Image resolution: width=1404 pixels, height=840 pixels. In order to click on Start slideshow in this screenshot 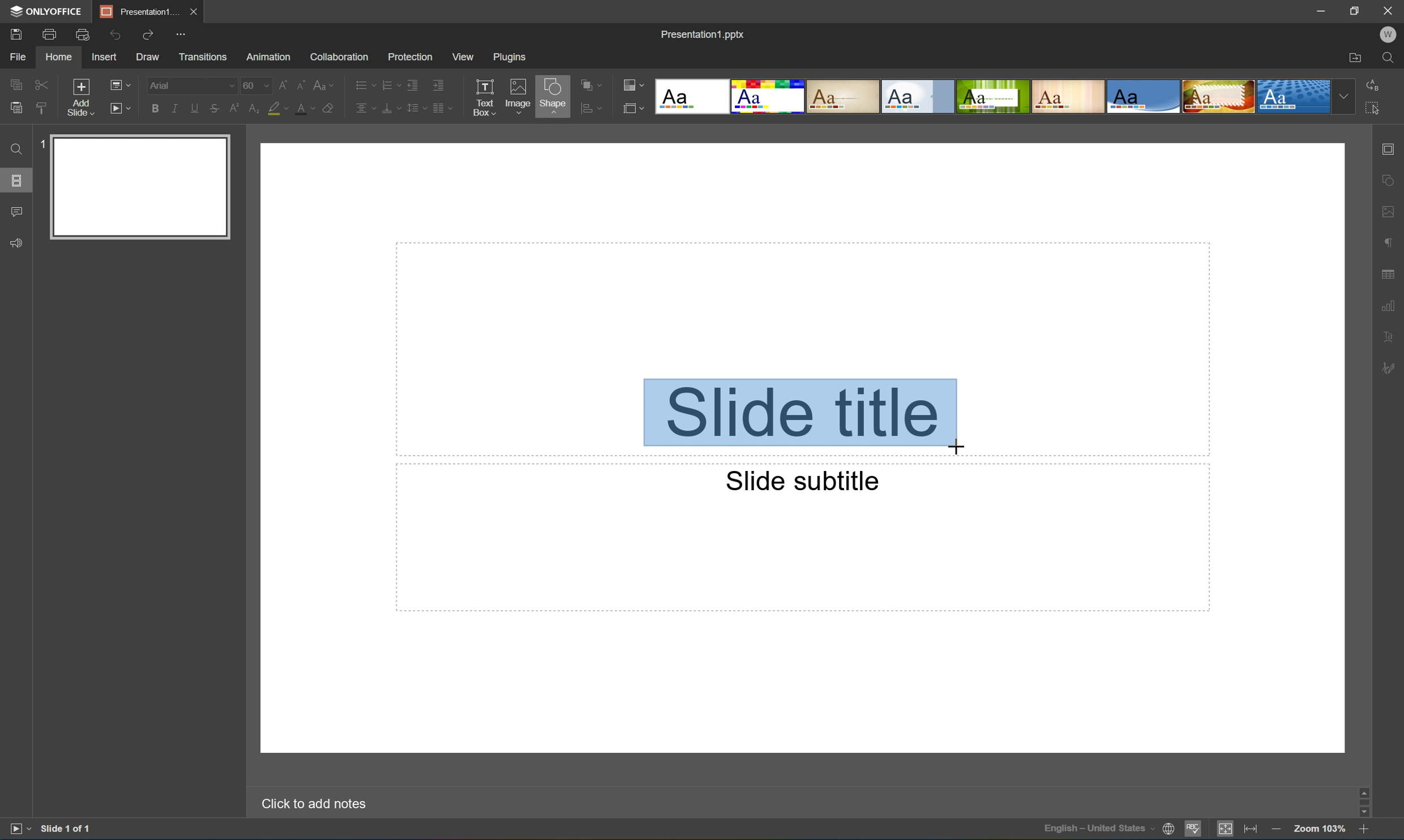, I will do `click(16, 831)`.